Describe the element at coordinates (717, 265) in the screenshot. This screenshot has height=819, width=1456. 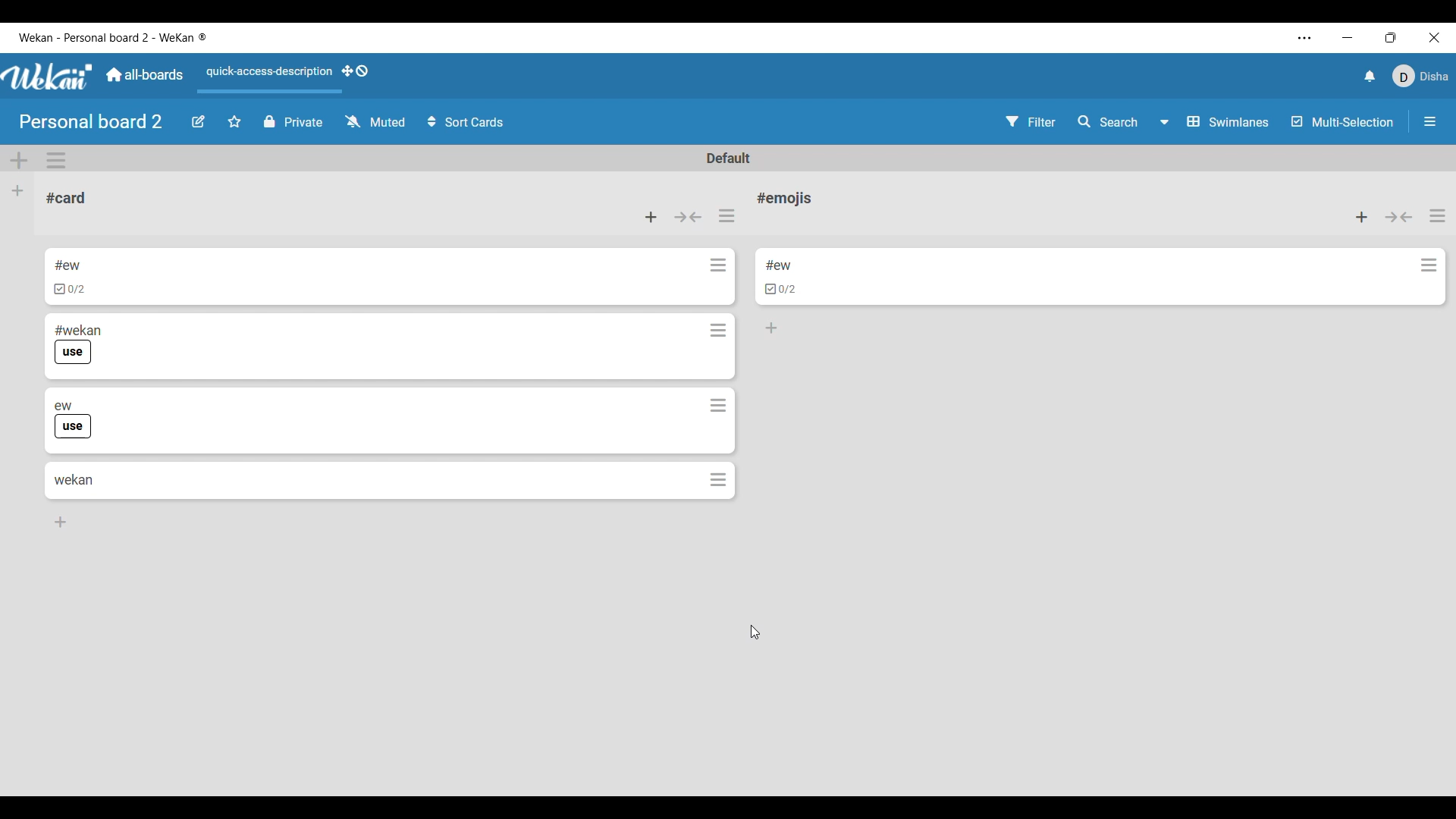
I see `Card actions ` at that location.